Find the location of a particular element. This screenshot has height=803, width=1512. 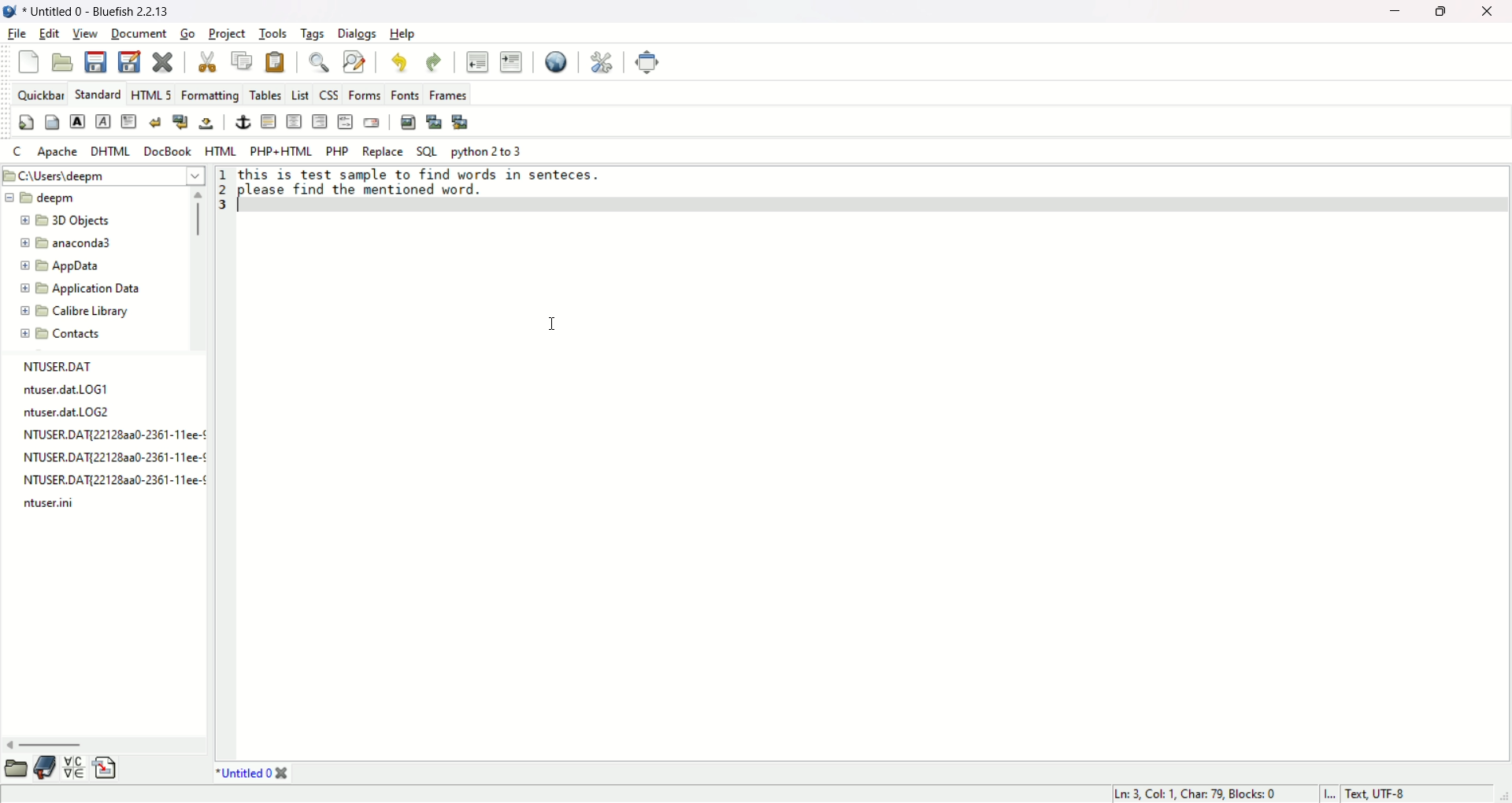

find and replace is located at coordinates (353, 61).